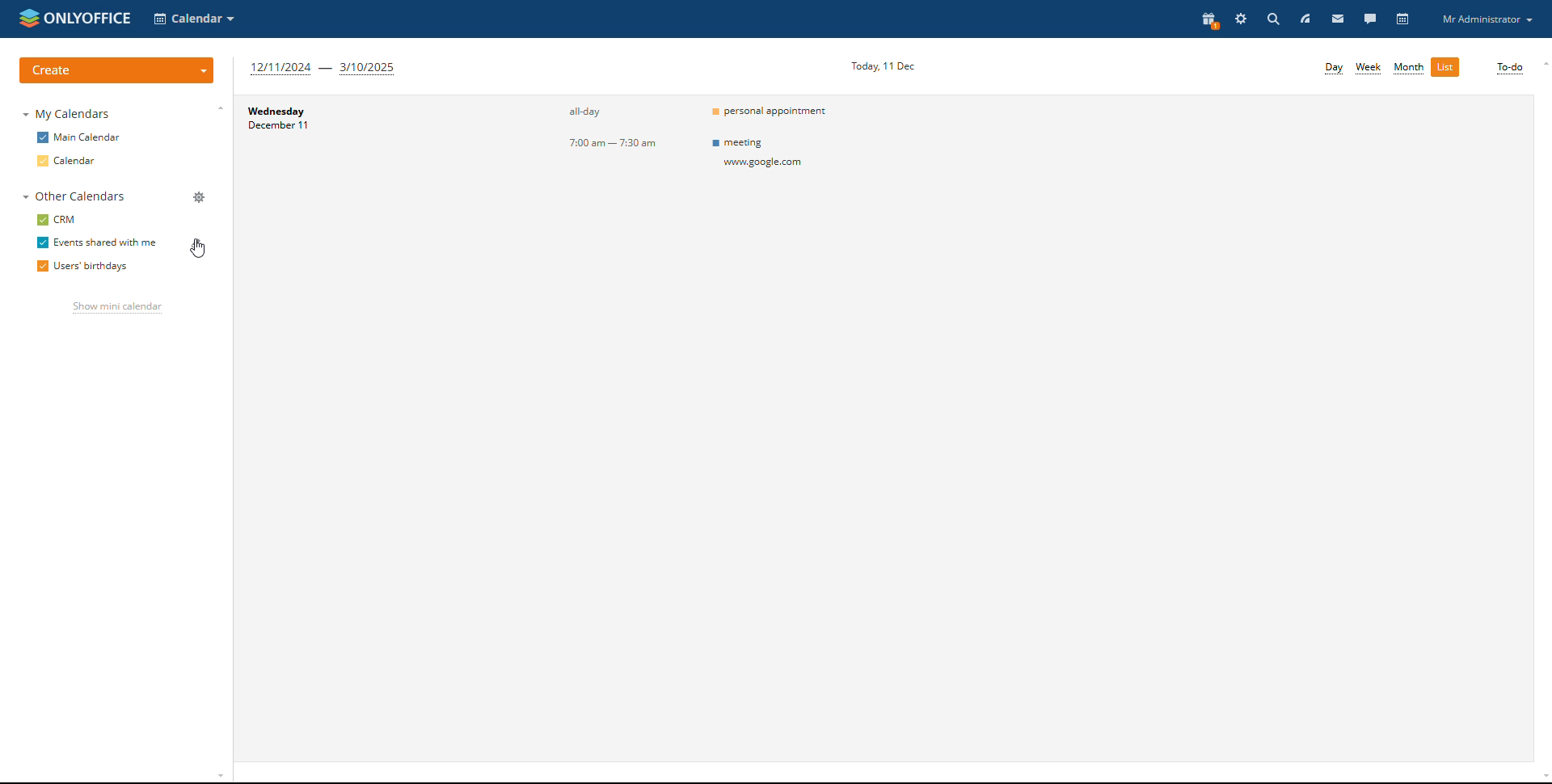  I want to click on main calendar, so click(78, 138).